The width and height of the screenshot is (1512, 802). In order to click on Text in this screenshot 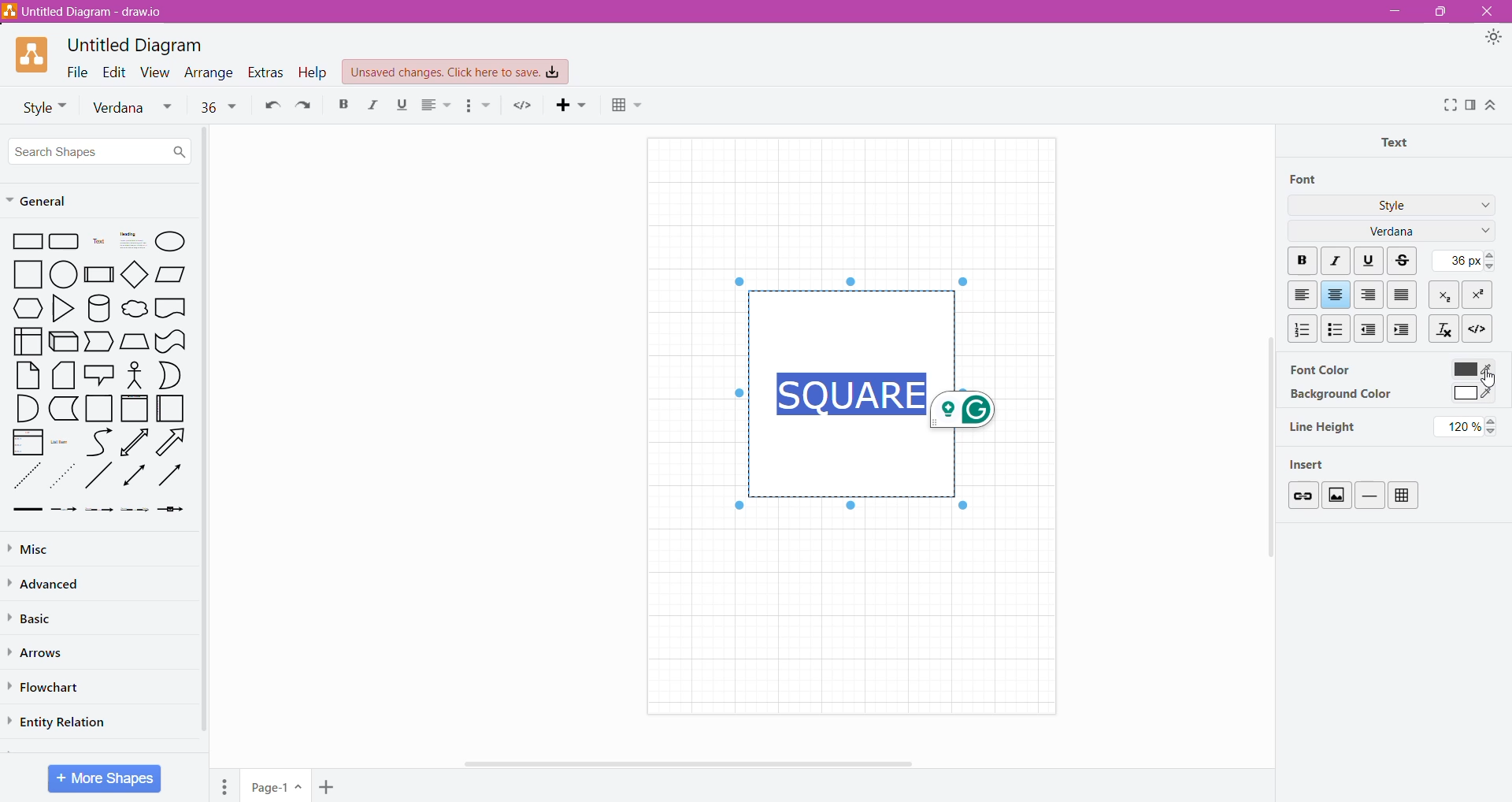, I will do `click(99, 241)`.